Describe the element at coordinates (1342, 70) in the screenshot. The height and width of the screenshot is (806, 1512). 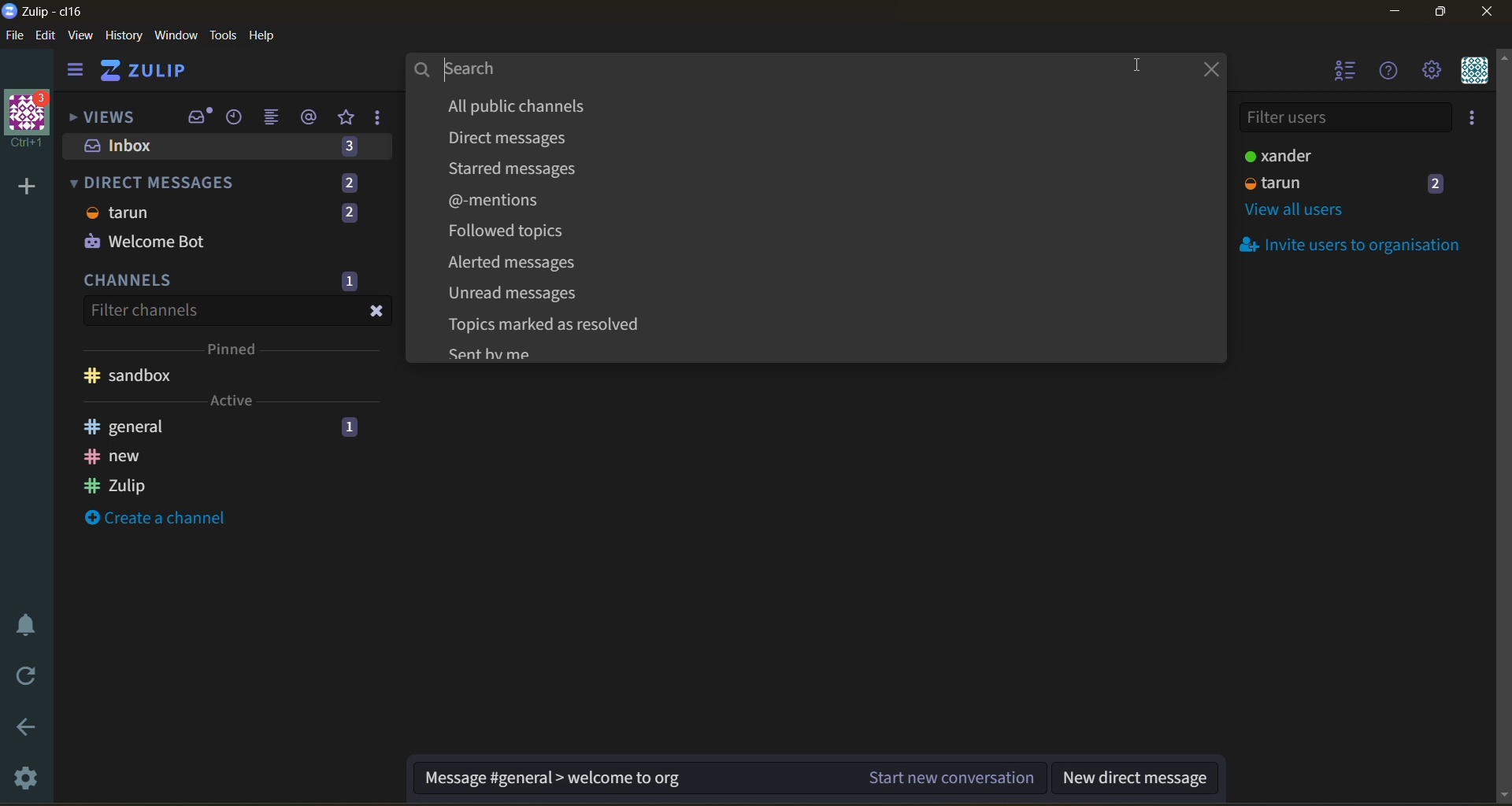
I see `hide users list` at that location.